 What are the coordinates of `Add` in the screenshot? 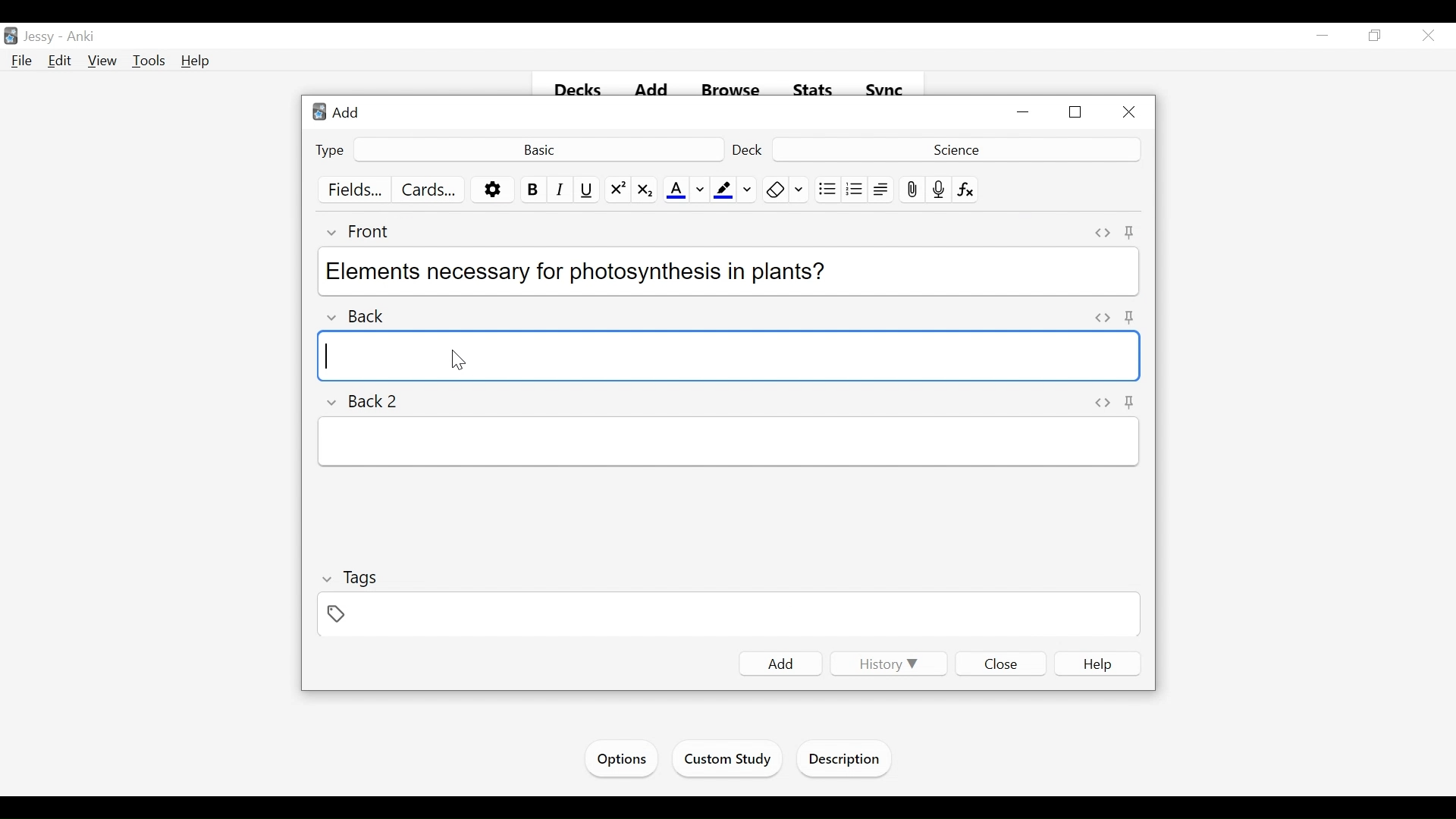 It's located at (781, 664).